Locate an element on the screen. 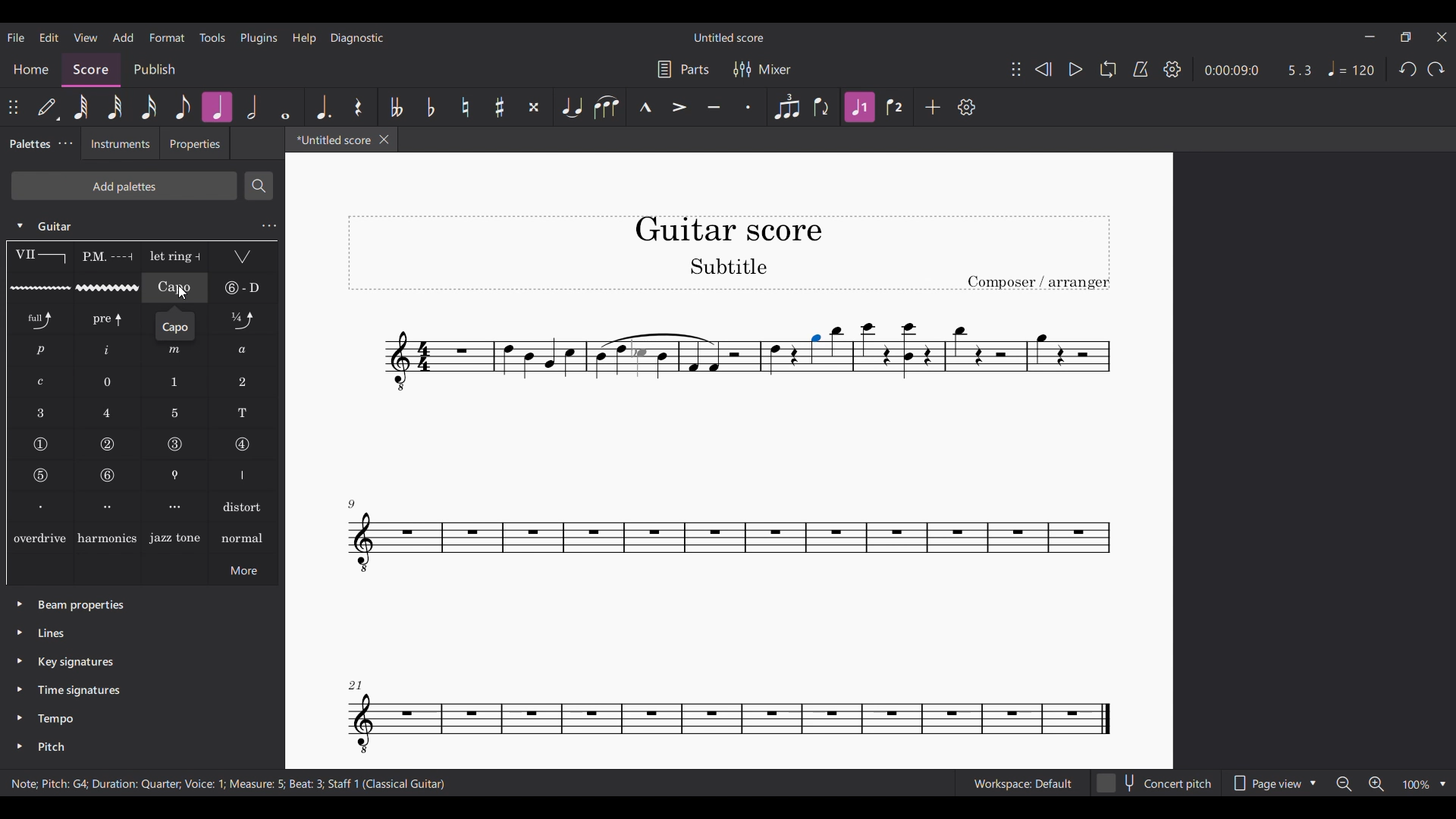 Image resolution: width=1456 pixels, height=819 pixels. Minimize is located at coordinates (1370, 36).